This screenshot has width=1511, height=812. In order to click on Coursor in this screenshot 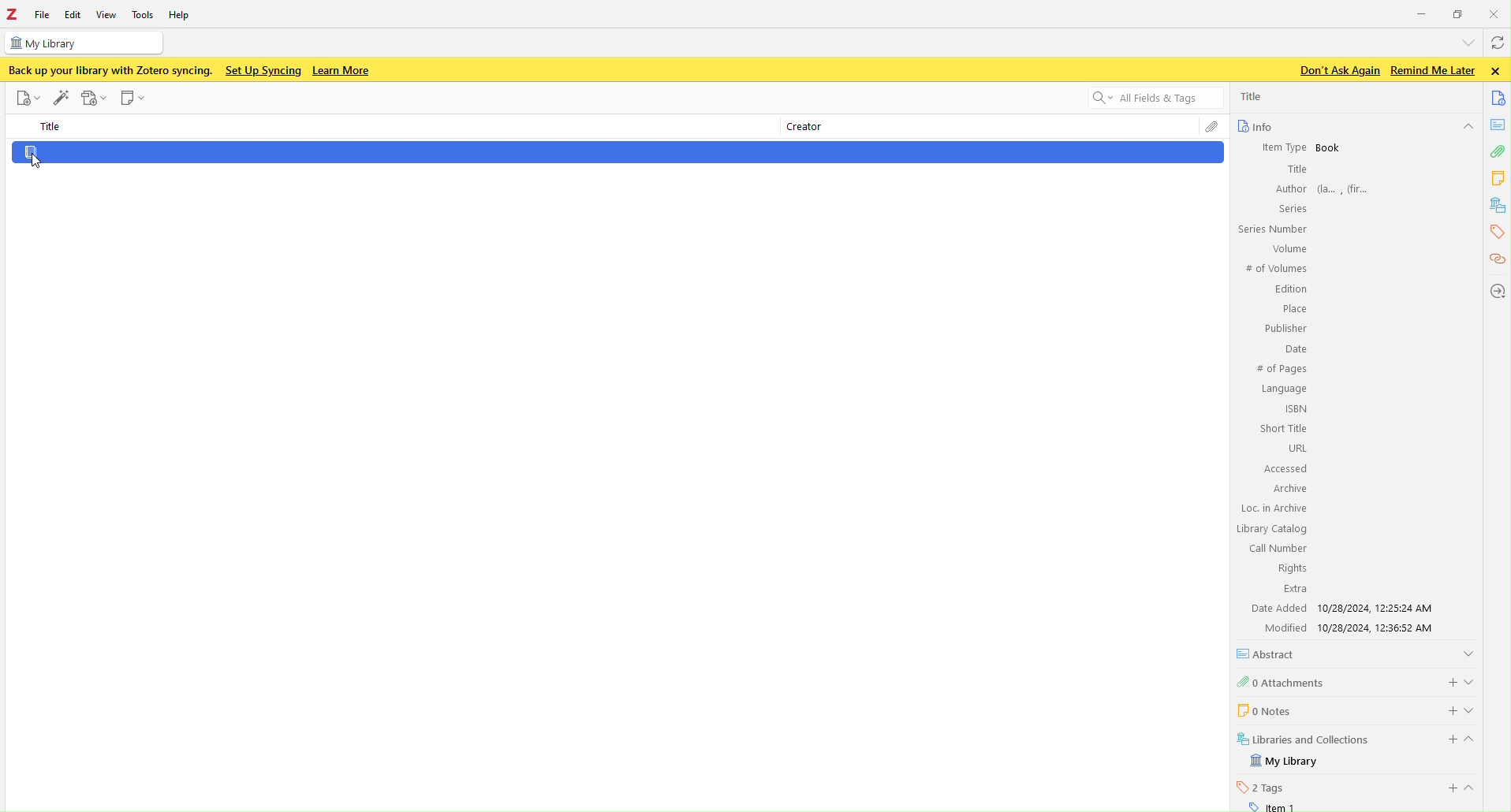, I will do `click(31, 160)`.